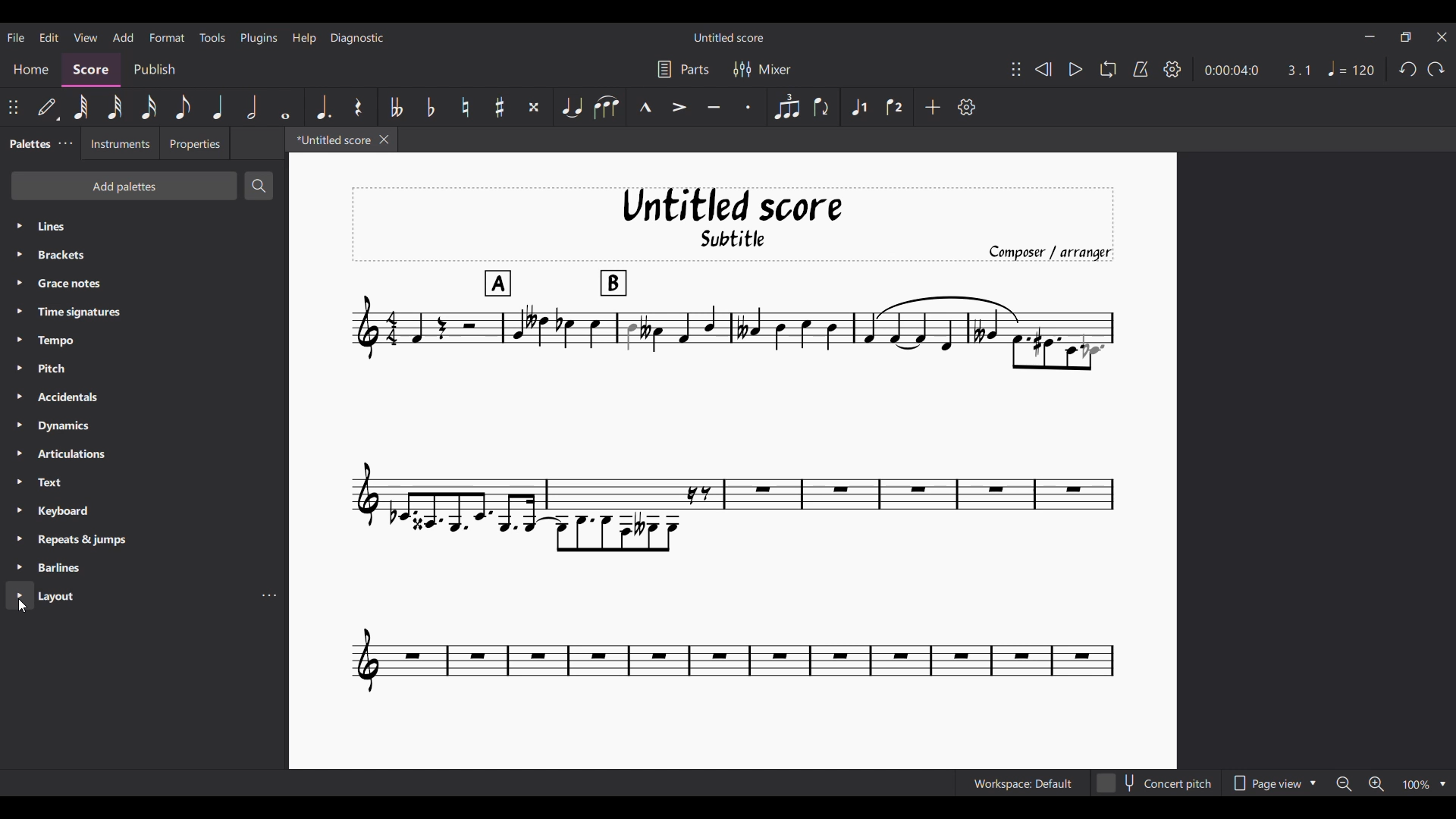 This screenshot has width=1456, height=819. I want to click on Lines, so click(144, 226).